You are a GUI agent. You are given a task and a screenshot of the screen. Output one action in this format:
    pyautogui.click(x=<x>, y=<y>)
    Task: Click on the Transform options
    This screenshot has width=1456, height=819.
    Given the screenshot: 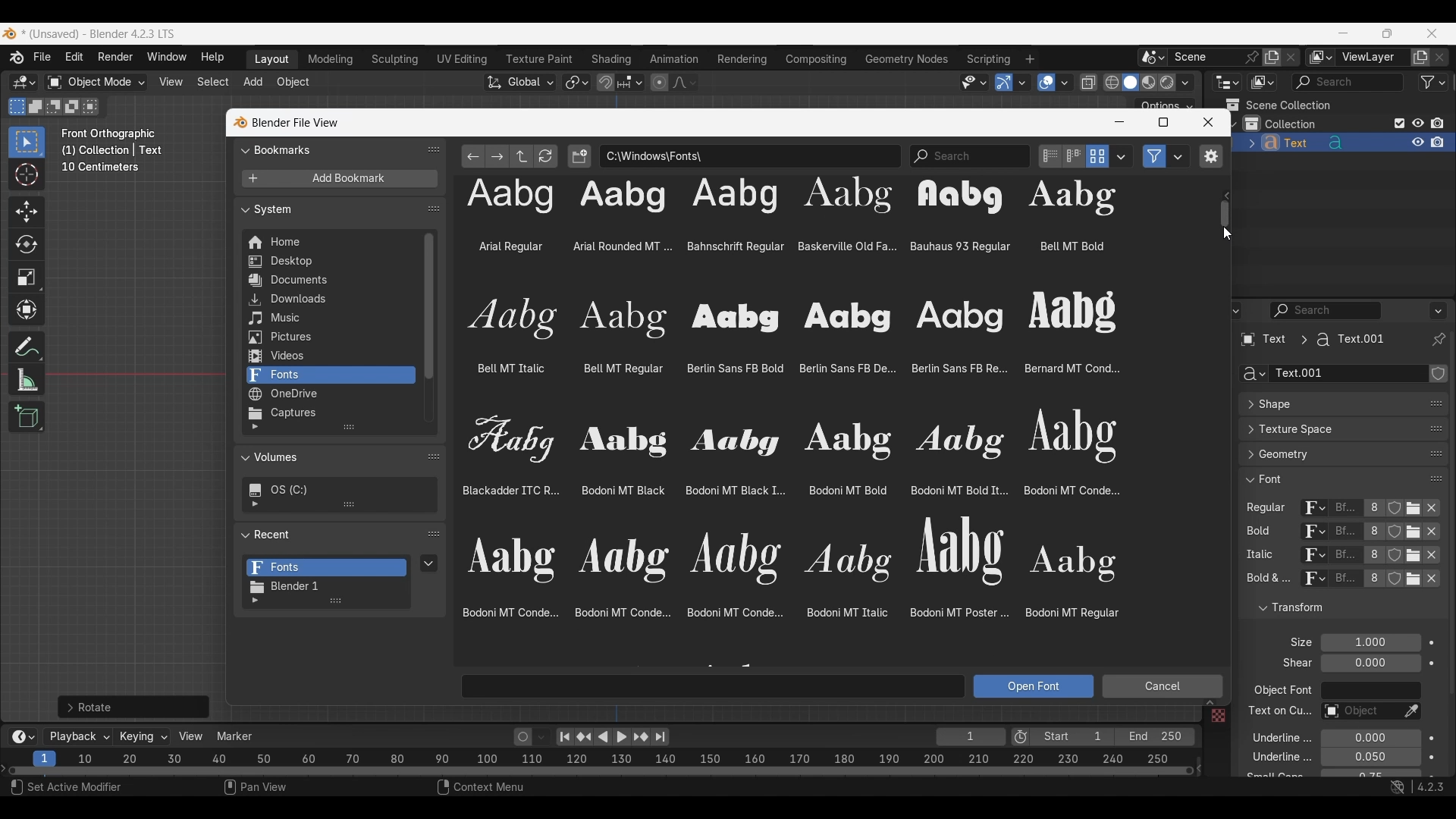 What is the action you would take?
    pyautogui.click(x=1165, y=104)
    